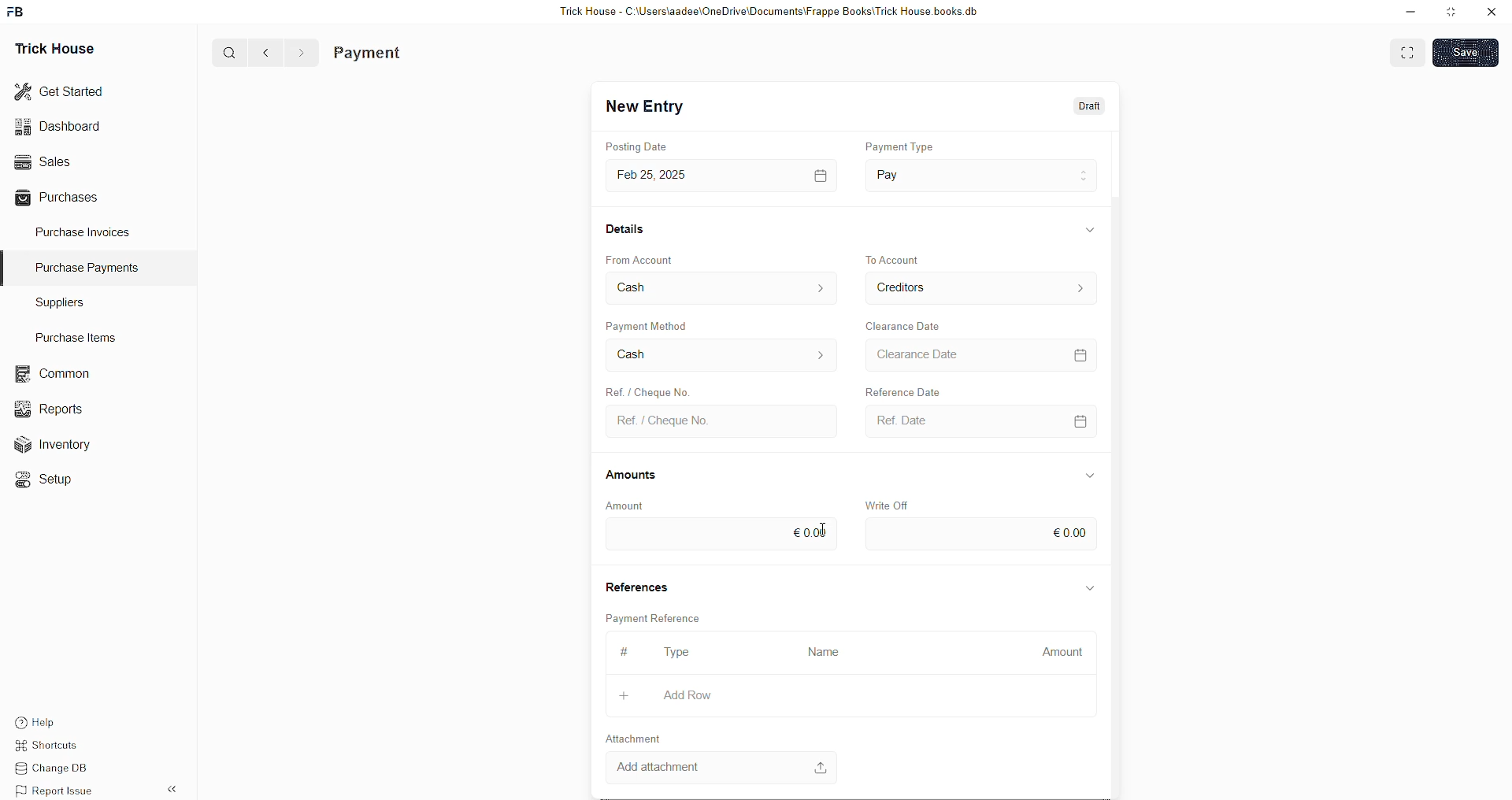 The width and height of the screenshot is (1512, 800). Describe the element at coordinates (722, 767) in the screenshot. I see `Add attachment` at that location.